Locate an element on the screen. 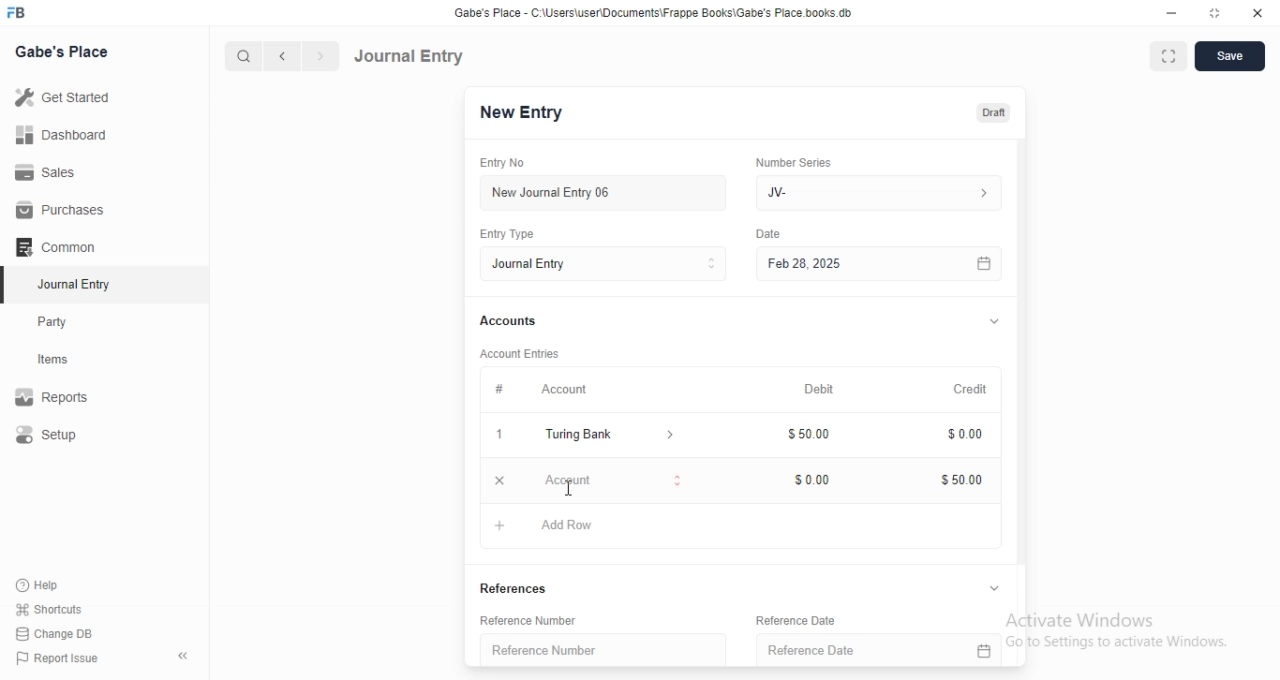 This screenshot has width=1280, height=680. previous is located at coordinates (279, 56).